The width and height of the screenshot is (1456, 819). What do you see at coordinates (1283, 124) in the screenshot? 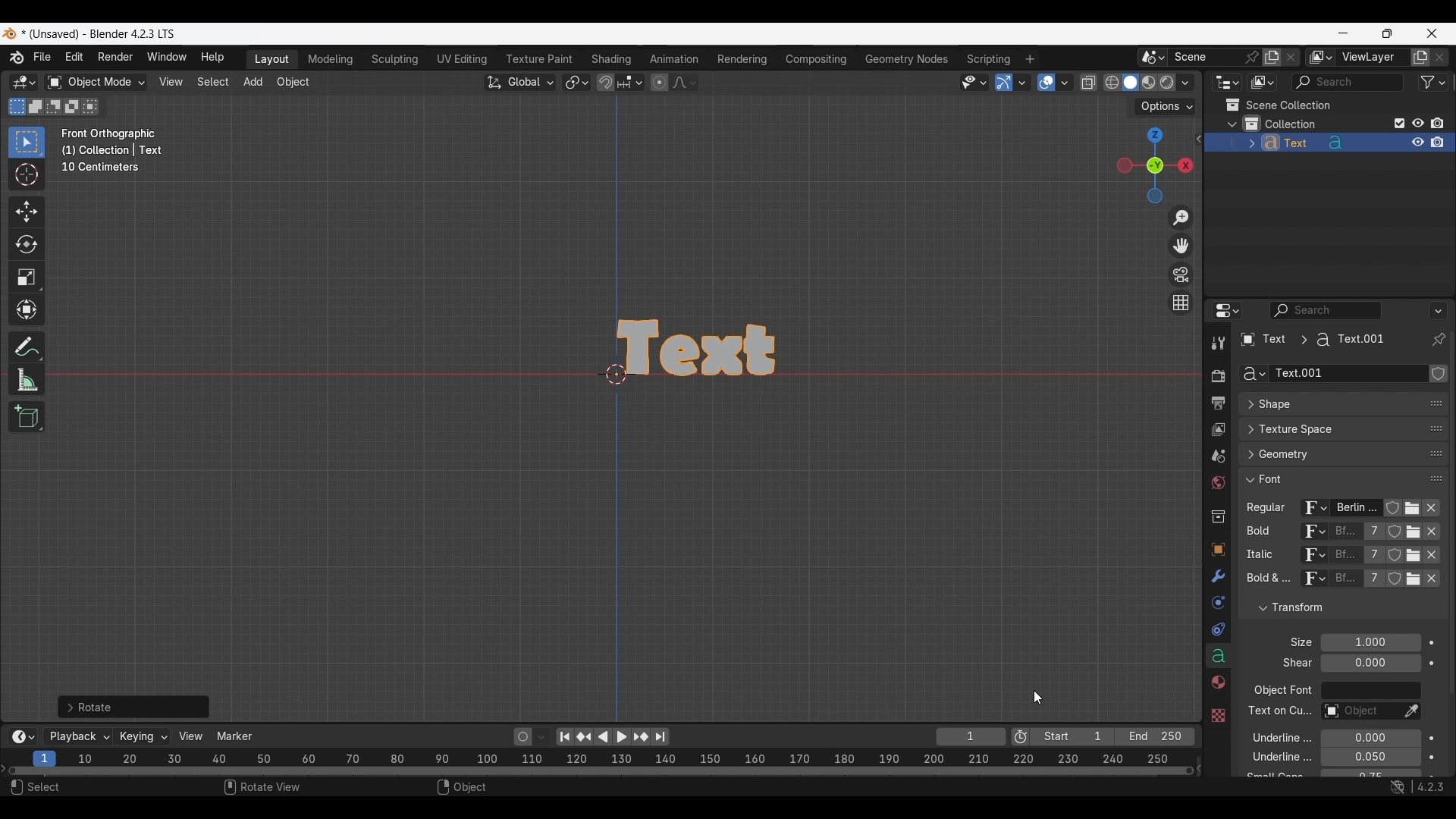
I see `Collection 1` at bounding box center [1283, 124].